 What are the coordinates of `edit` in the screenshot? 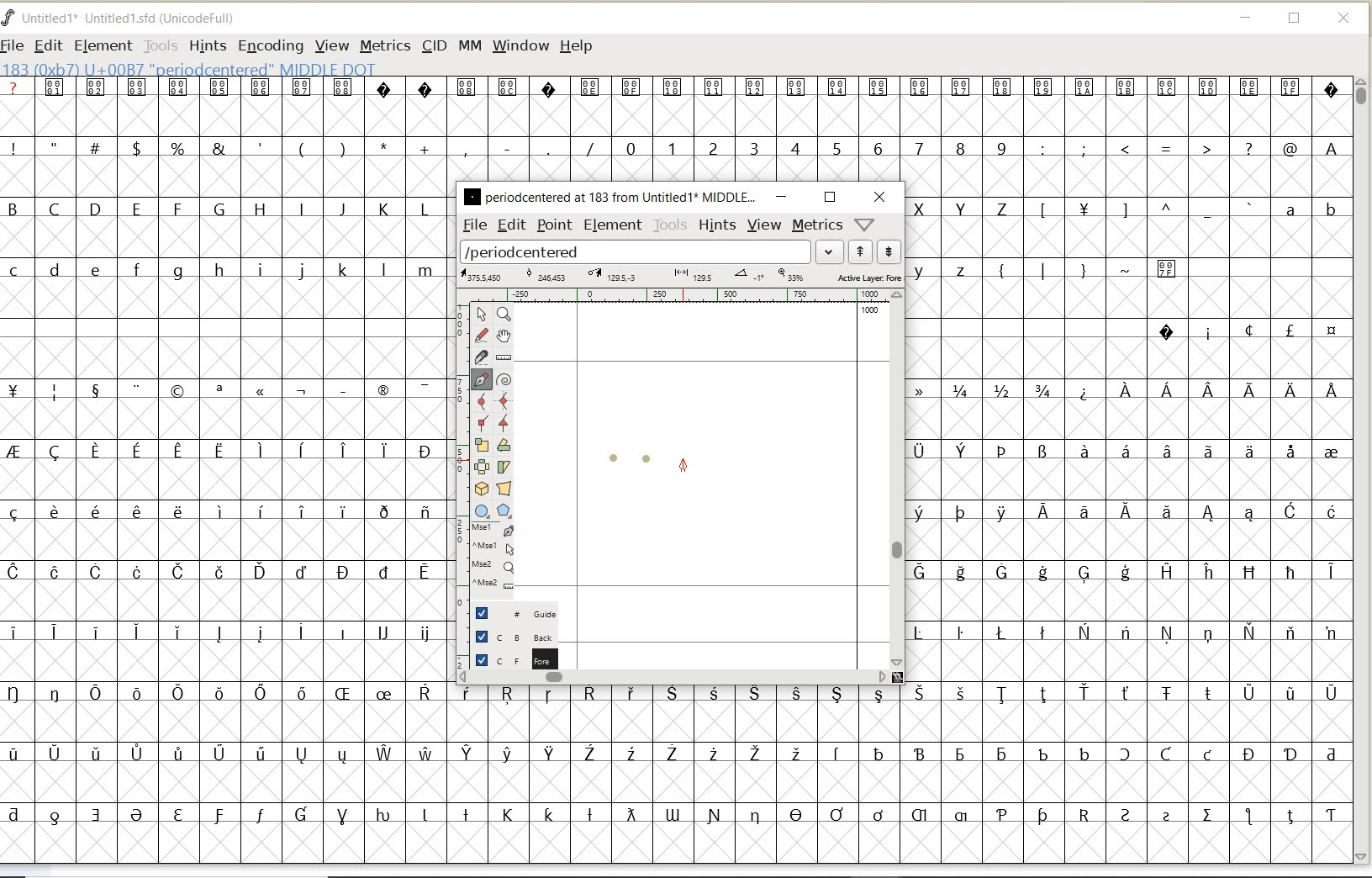 It's located at (510, 225).